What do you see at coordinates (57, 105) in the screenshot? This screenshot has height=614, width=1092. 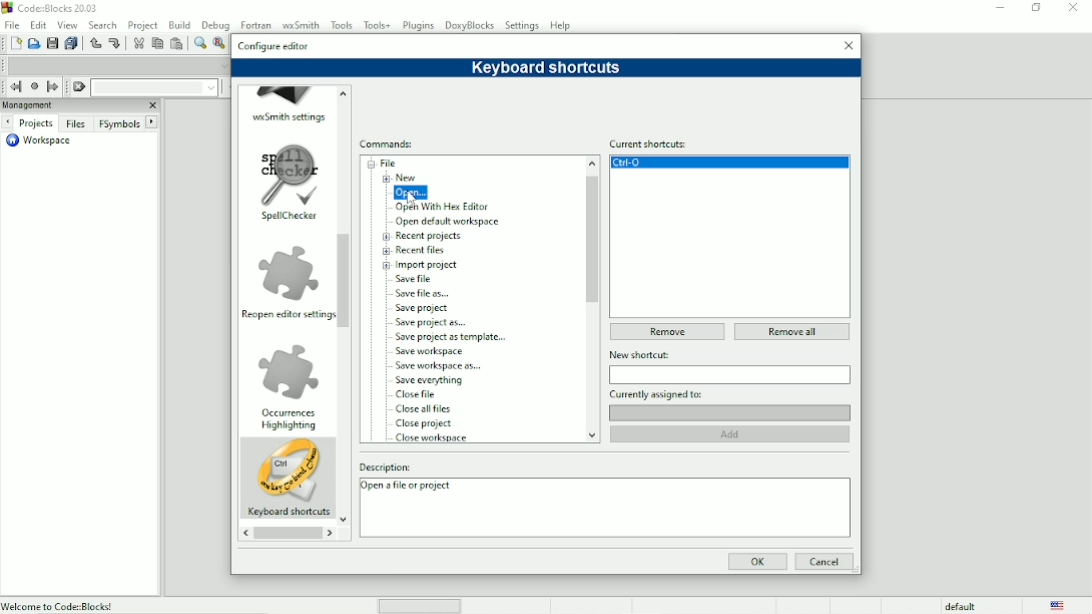 I see `Managment` at bounding box center [57, 105].